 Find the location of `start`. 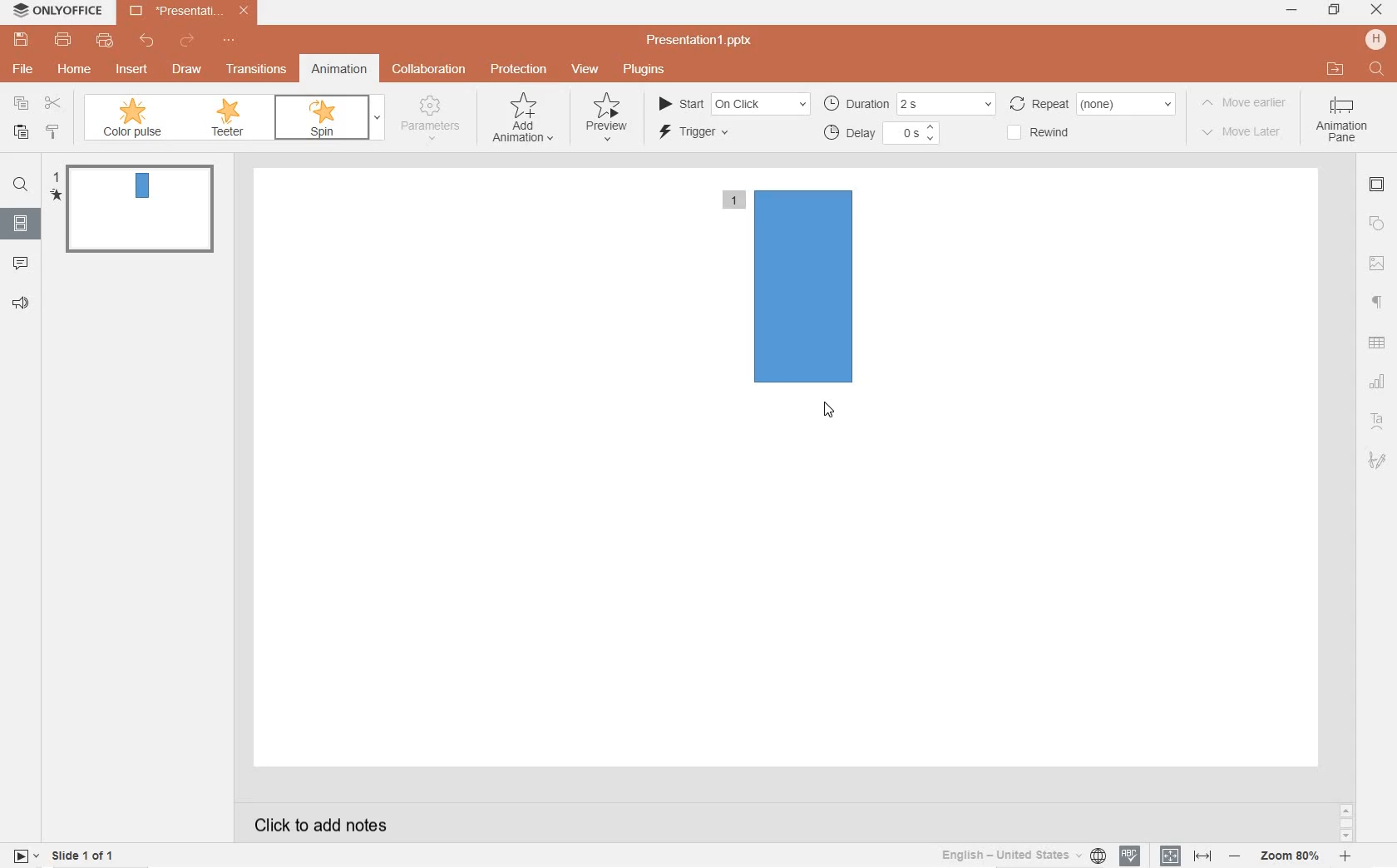

start is located at coordinates (733, 101).